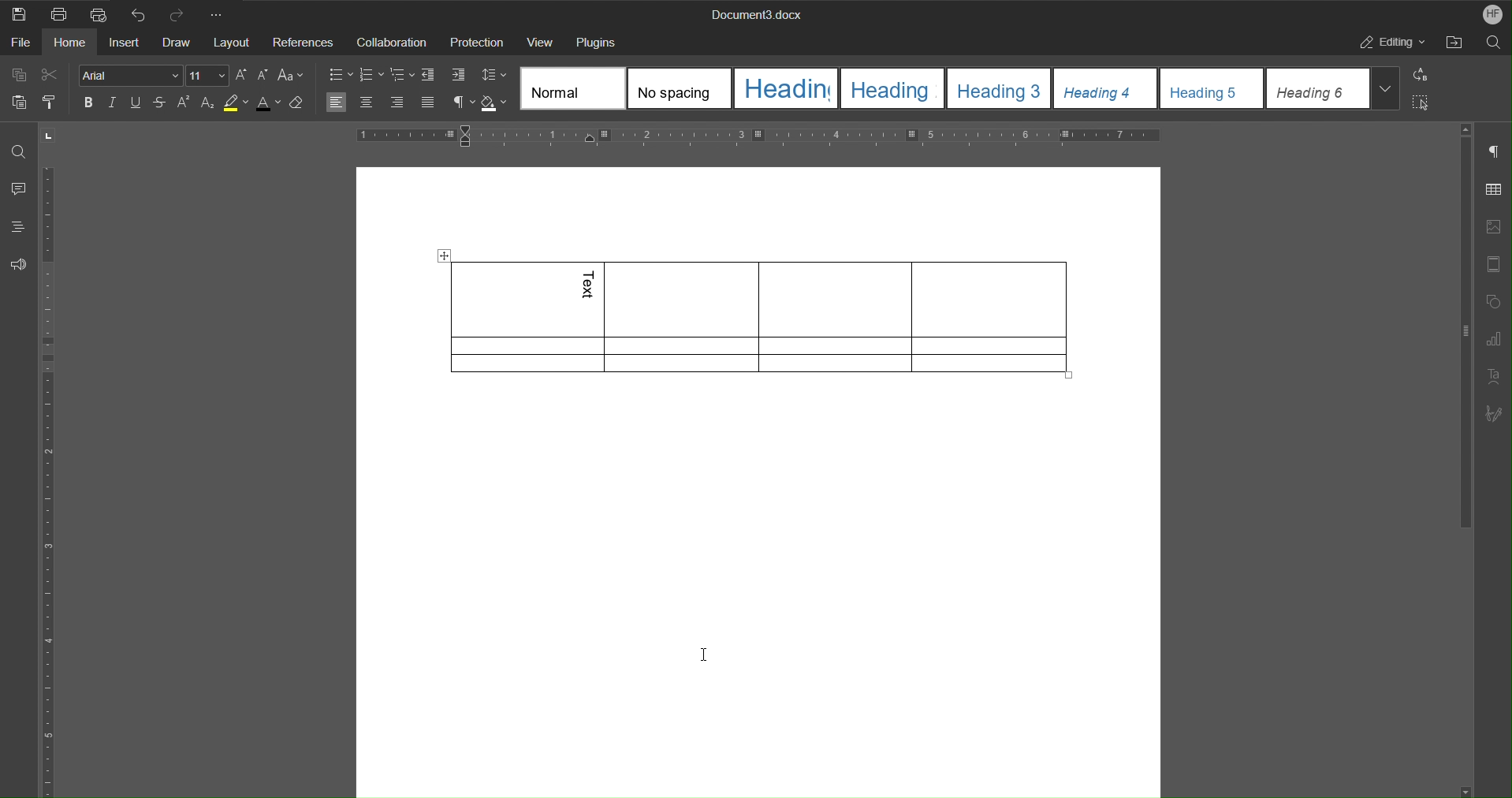 The image size is (1512, 798). What do you see at coordinates (1467, 792) in the screenshot?
I see `scroll down` at bounding box center [1467, 792].